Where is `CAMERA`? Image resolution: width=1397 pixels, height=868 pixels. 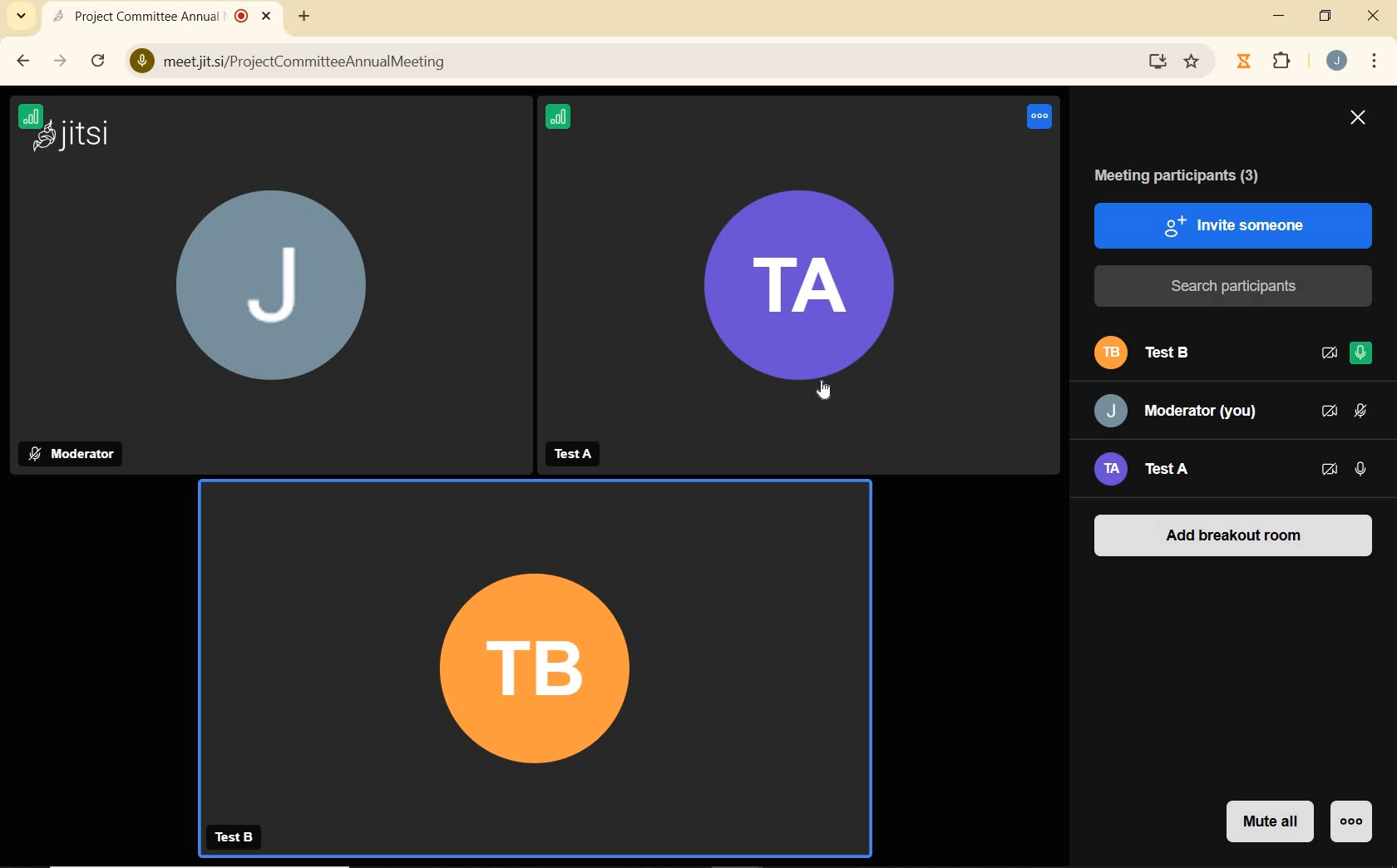 CAMERA is located at coordinates (1327, 355).